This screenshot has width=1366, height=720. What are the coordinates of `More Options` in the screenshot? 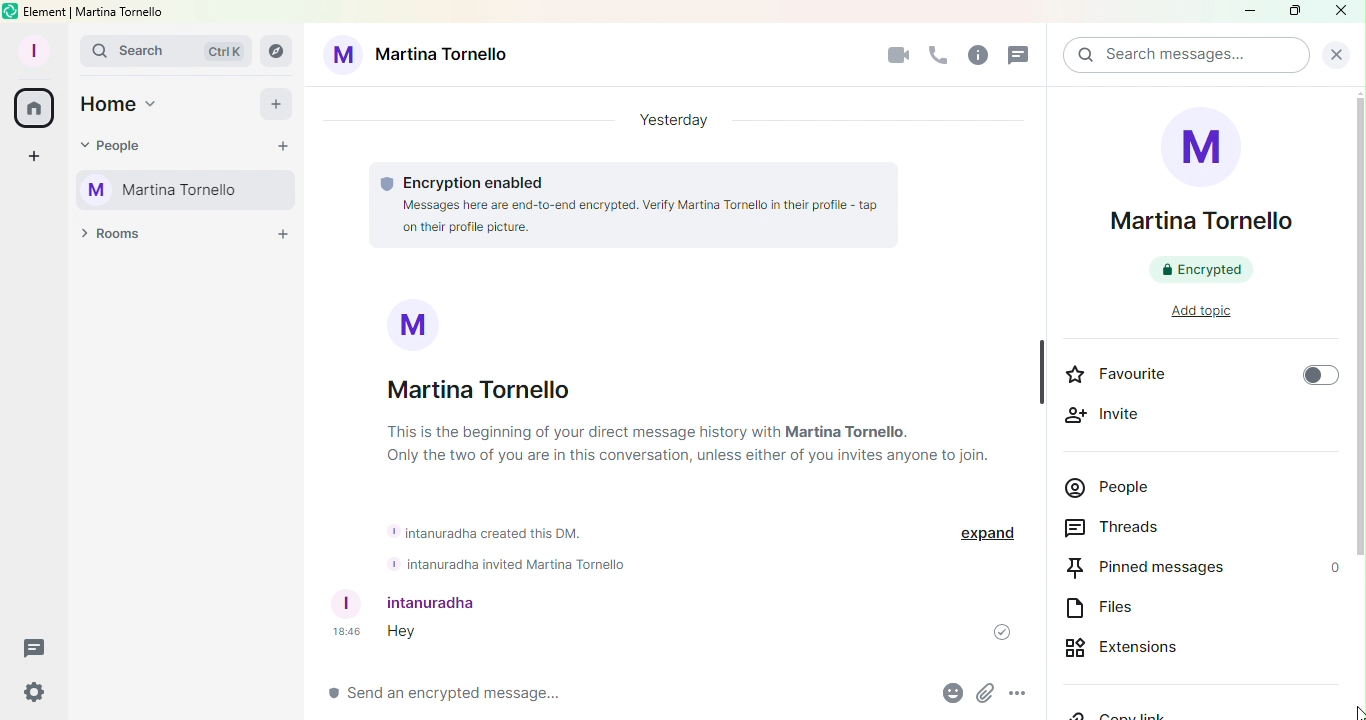 It's located at (1019, 693).